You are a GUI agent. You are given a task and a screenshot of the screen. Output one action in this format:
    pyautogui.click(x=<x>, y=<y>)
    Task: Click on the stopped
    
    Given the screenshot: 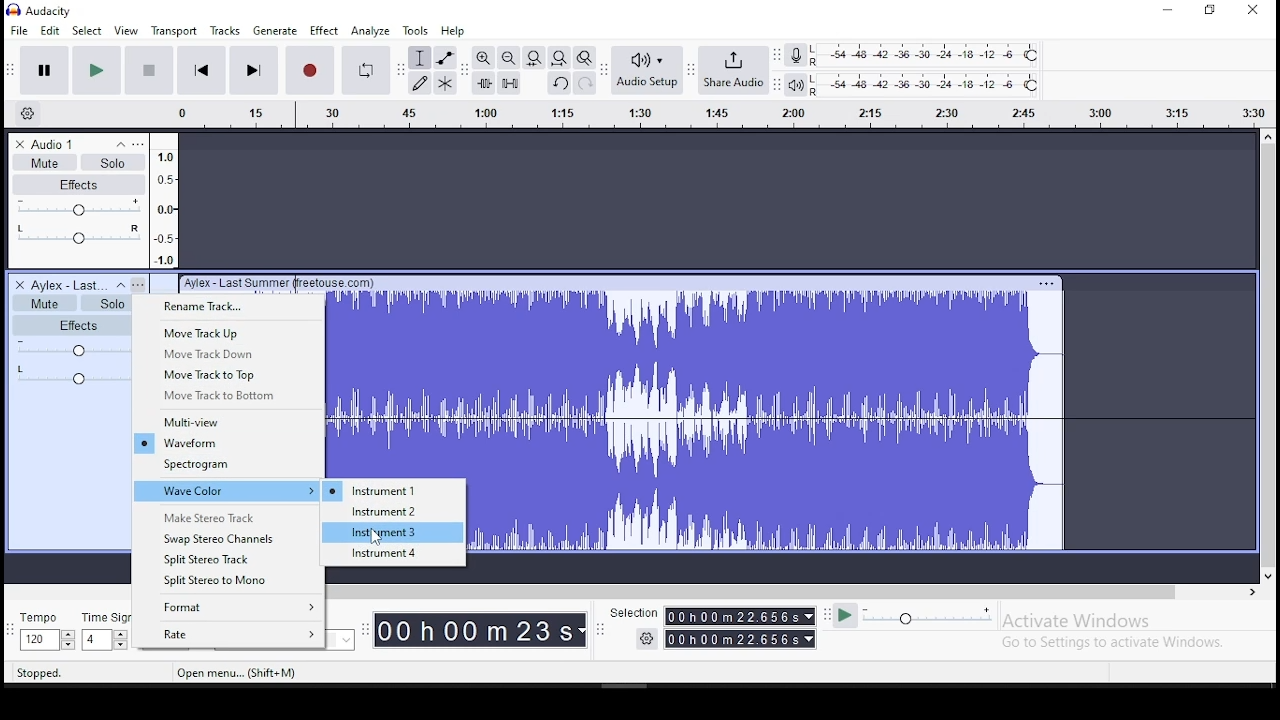 What is the action you would take?
    pyautogui.click(x=42, y=672)
    